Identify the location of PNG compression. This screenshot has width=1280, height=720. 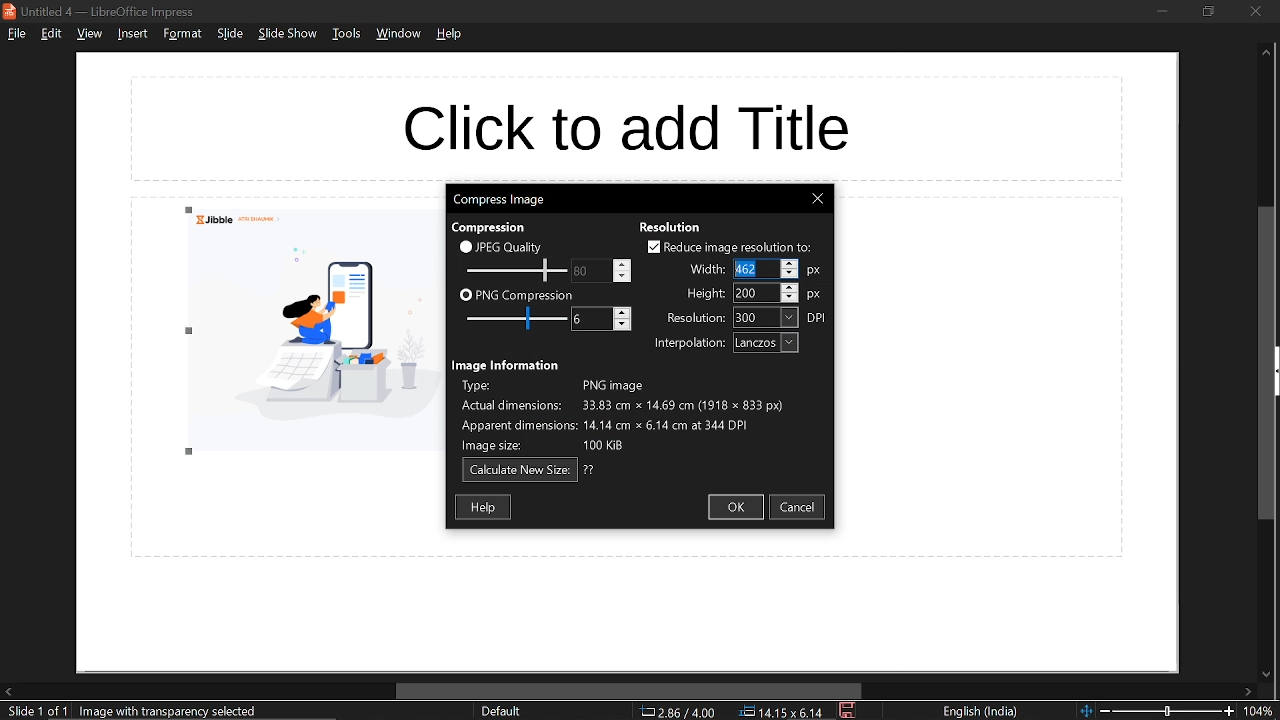
(516, 296).